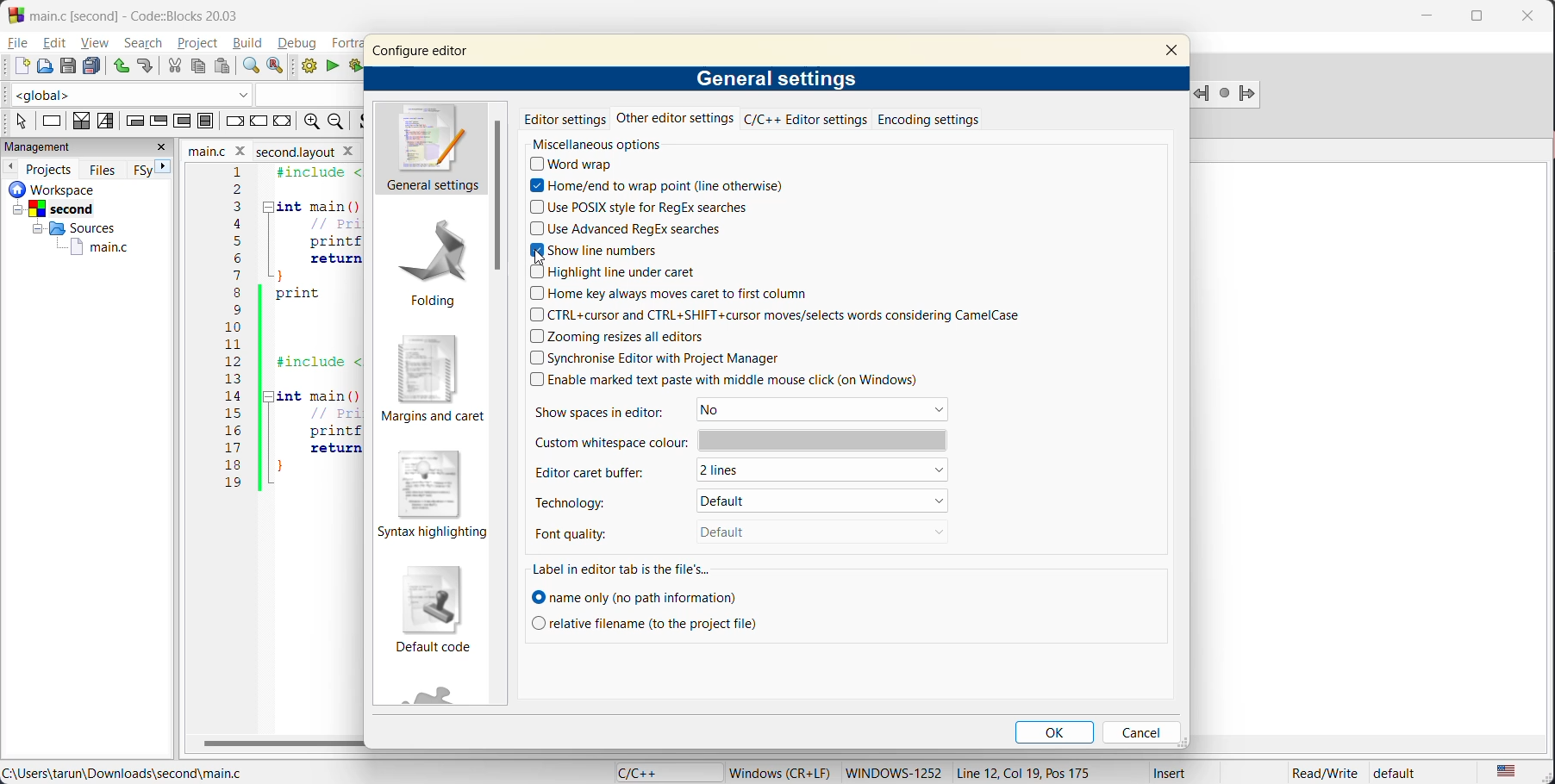  What do you see at coordinates (601, 471) in the screenshot?
I see `editor caret buffer` at bounding box center [601, 471].